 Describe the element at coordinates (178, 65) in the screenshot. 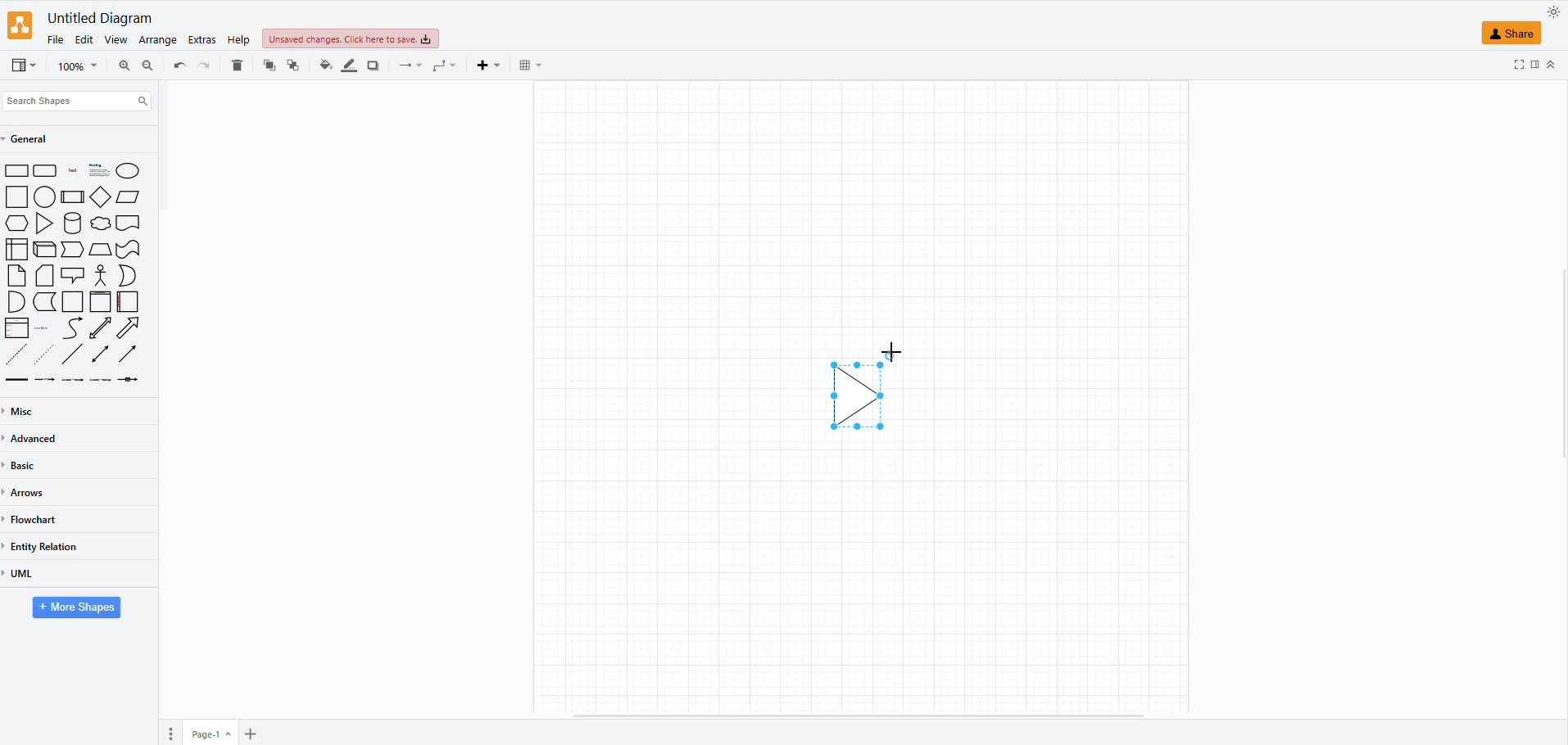

I see `redo` at that location.